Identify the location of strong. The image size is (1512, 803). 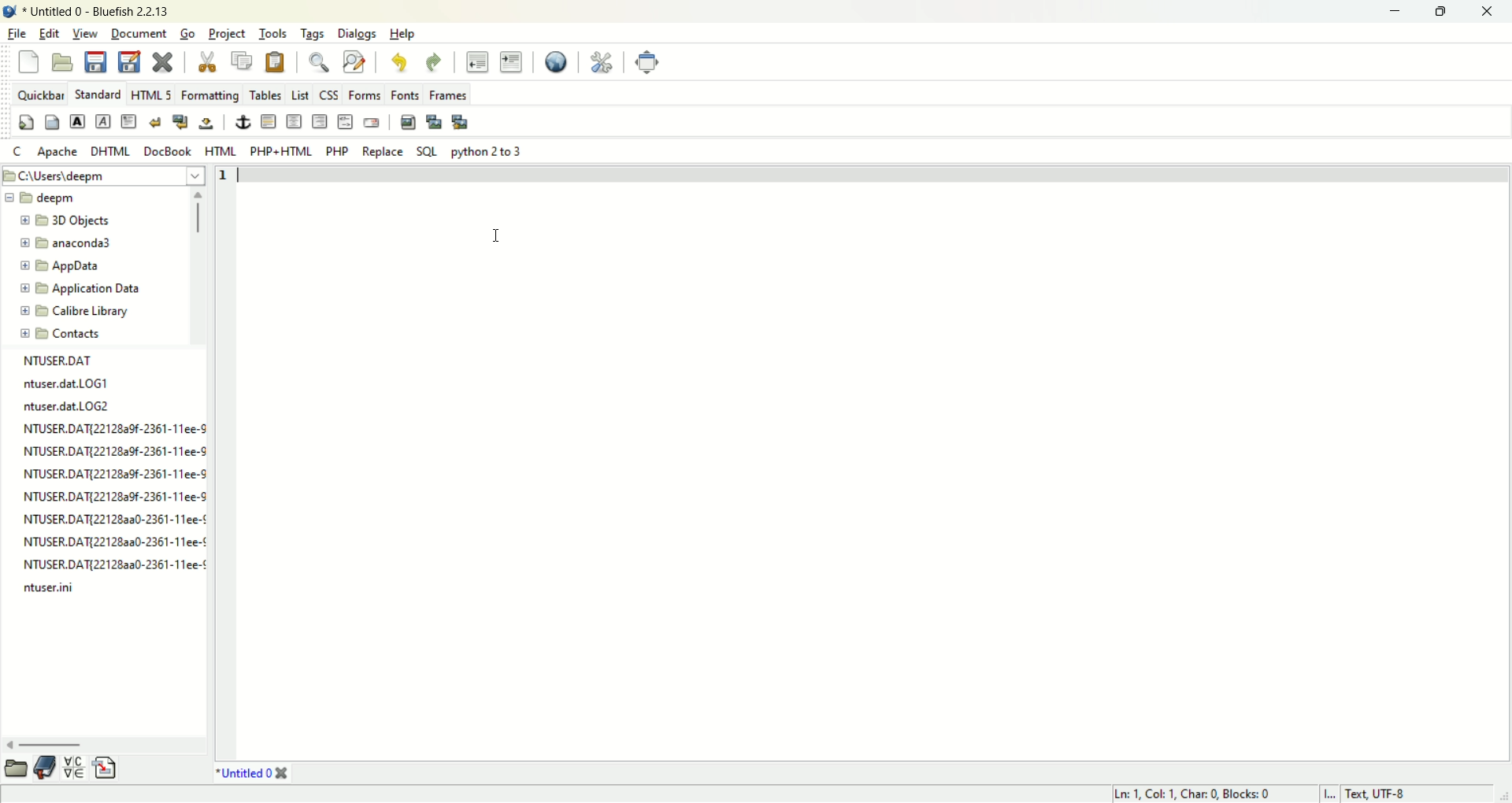
(74, 122).